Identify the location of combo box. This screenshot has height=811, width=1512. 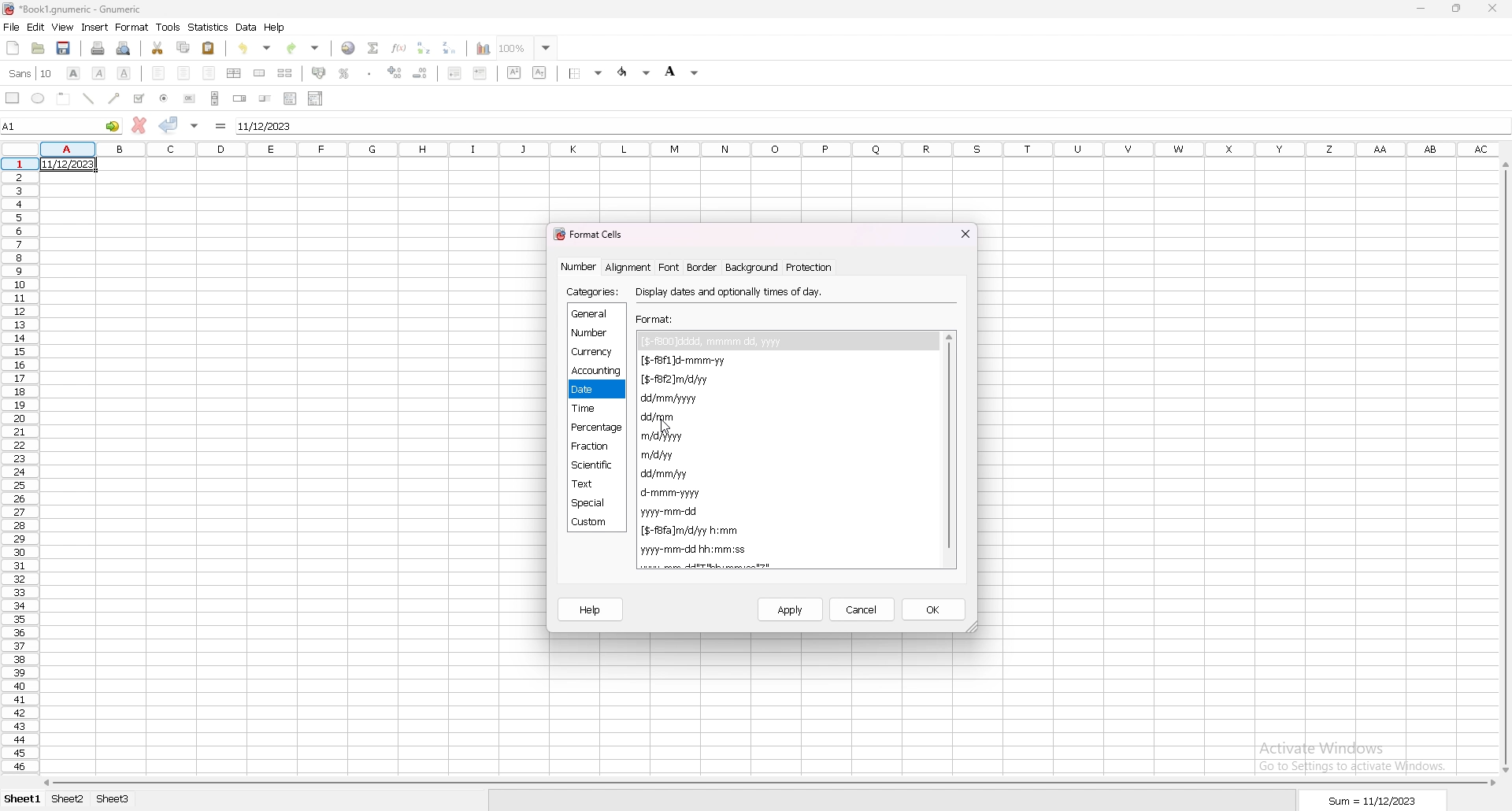
(317, 98).